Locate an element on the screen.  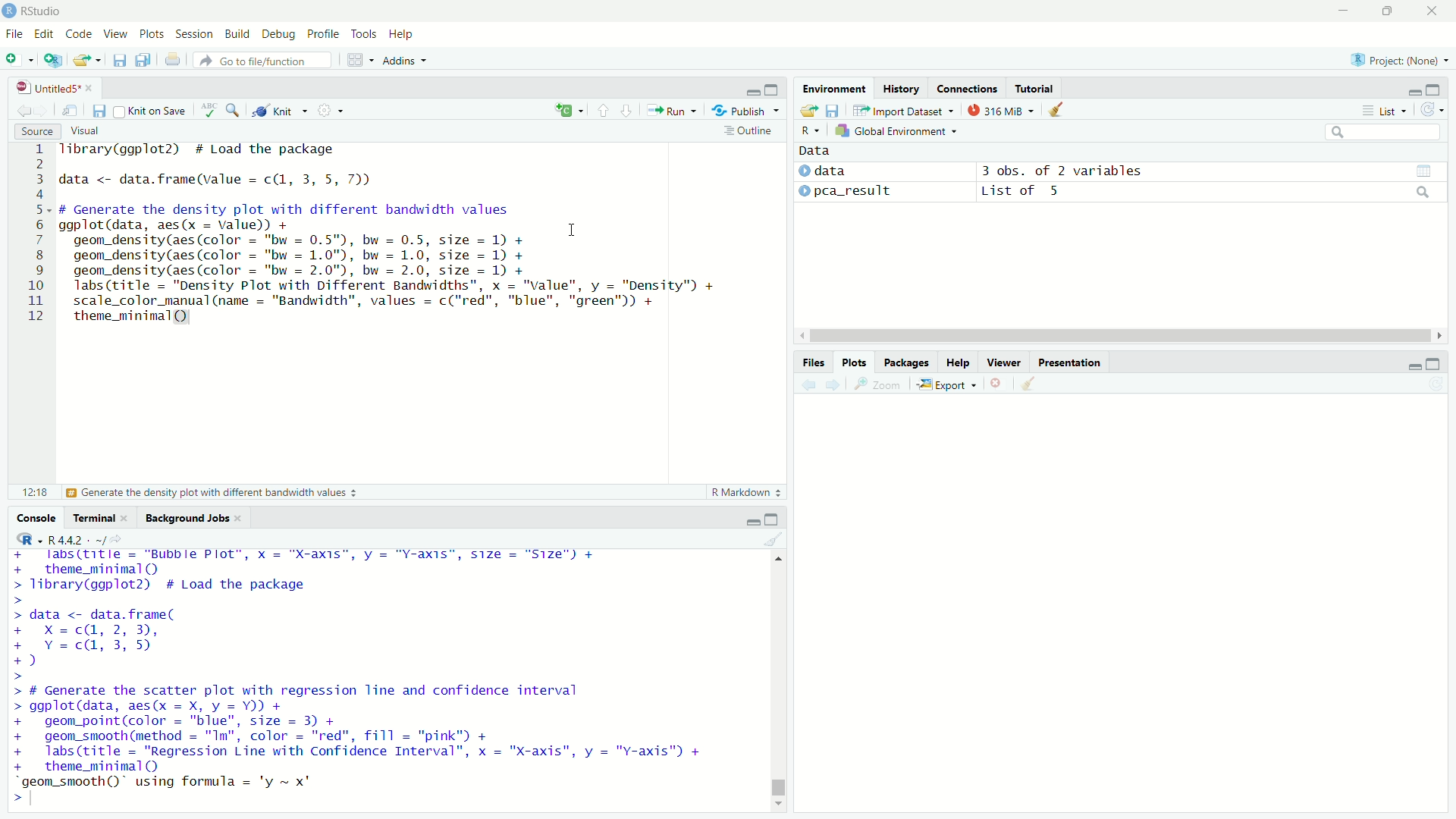
View is located at coordinates (115, 33).